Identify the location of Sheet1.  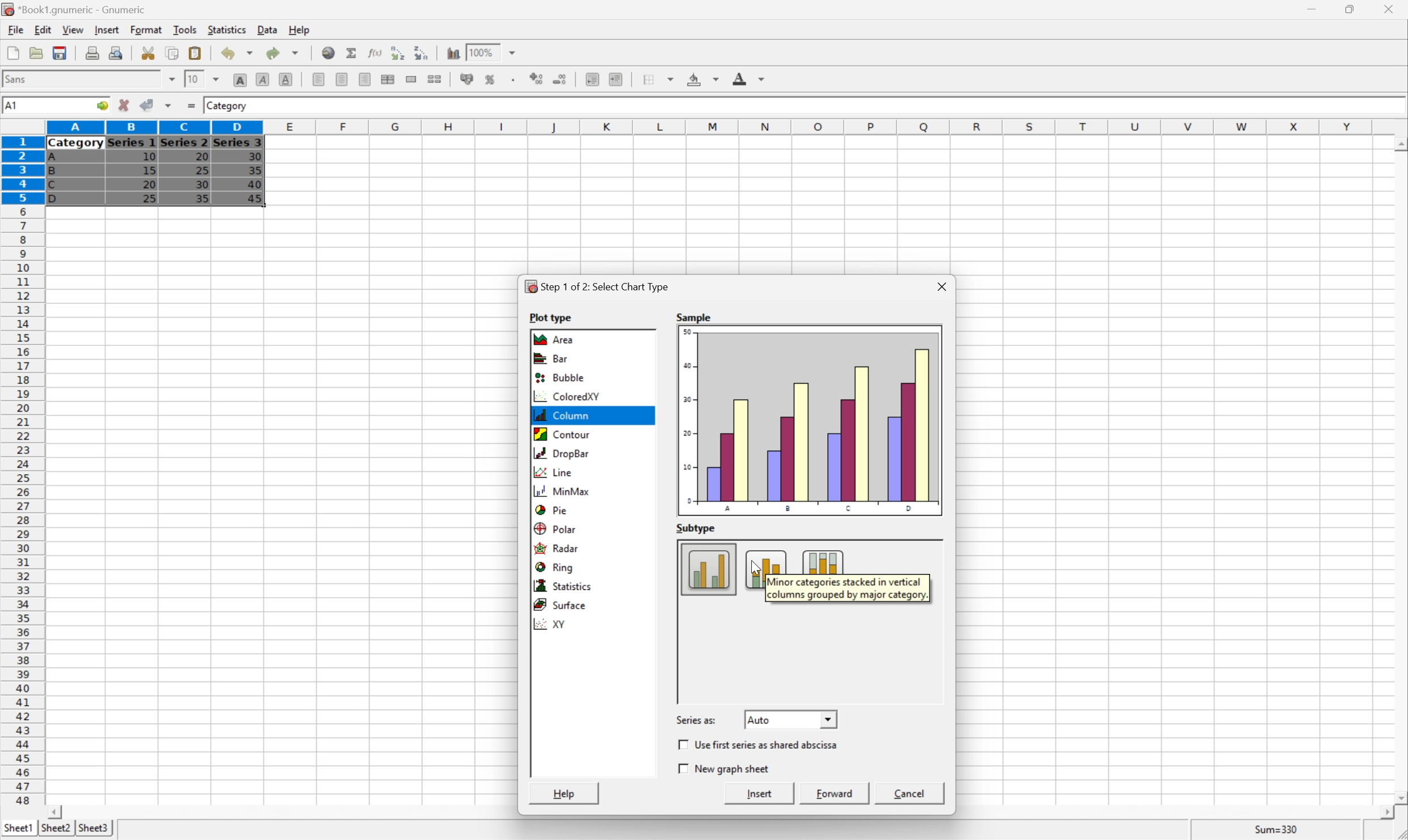
(18, 829).